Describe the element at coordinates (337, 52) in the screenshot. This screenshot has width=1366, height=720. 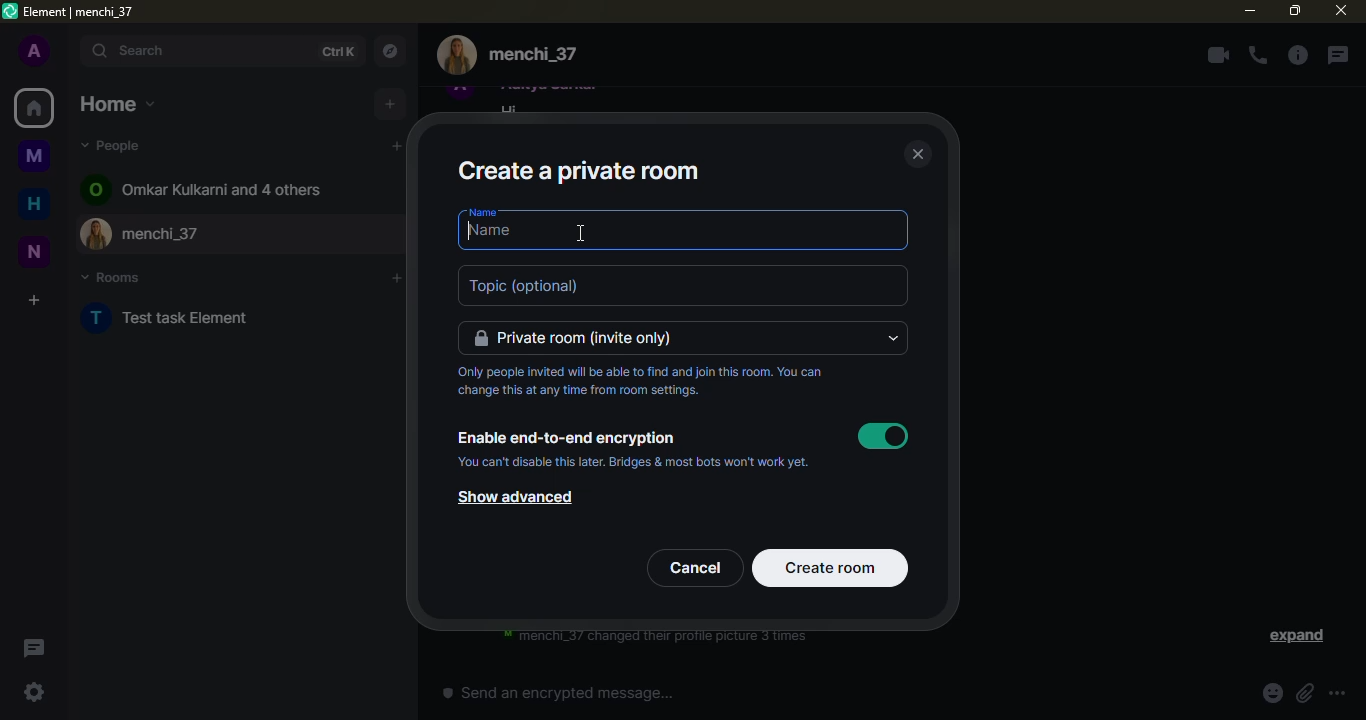
I see `ctrl K` at that location.